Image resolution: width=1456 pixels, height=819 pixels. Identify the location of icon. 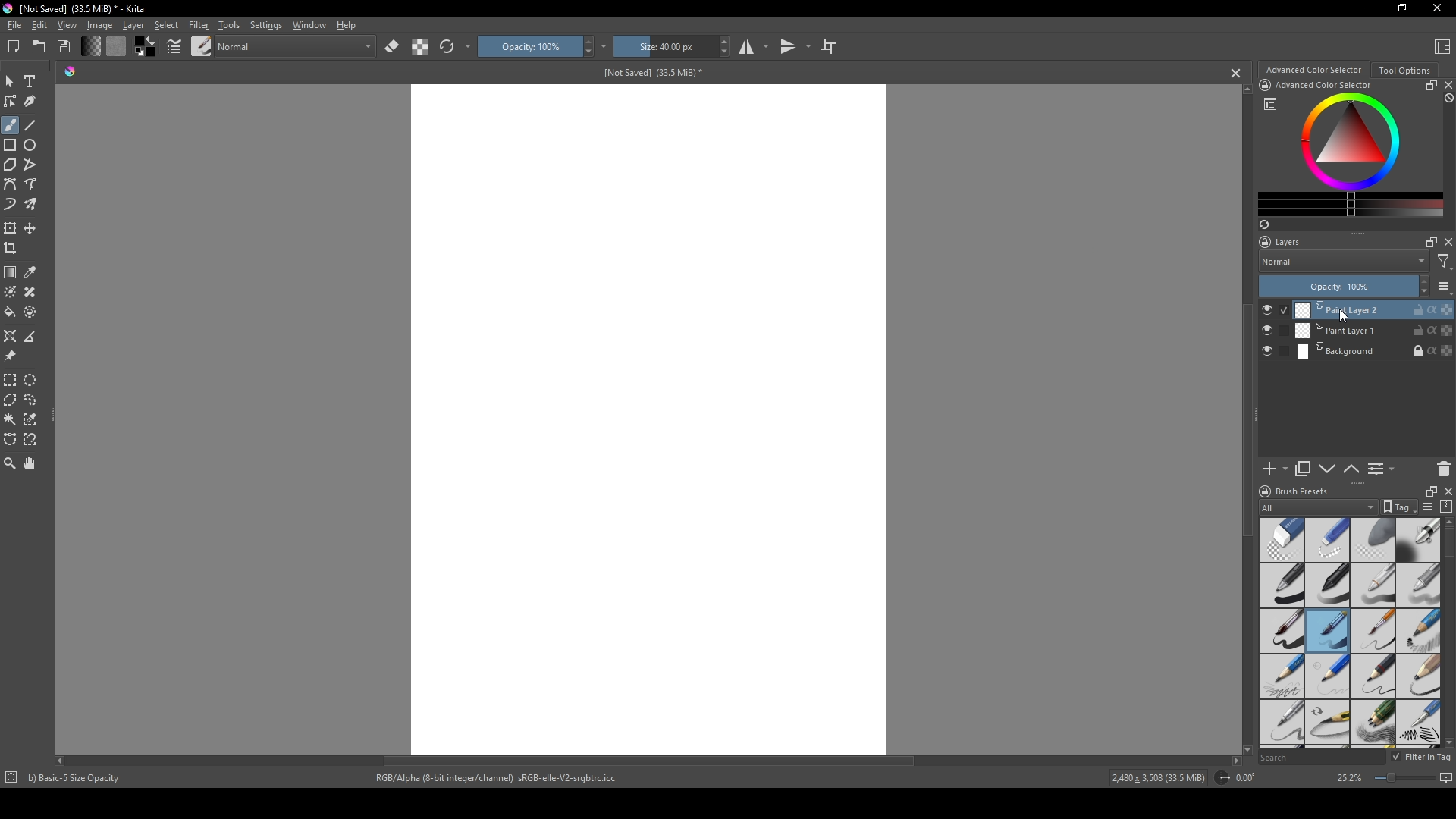
(10, 779).